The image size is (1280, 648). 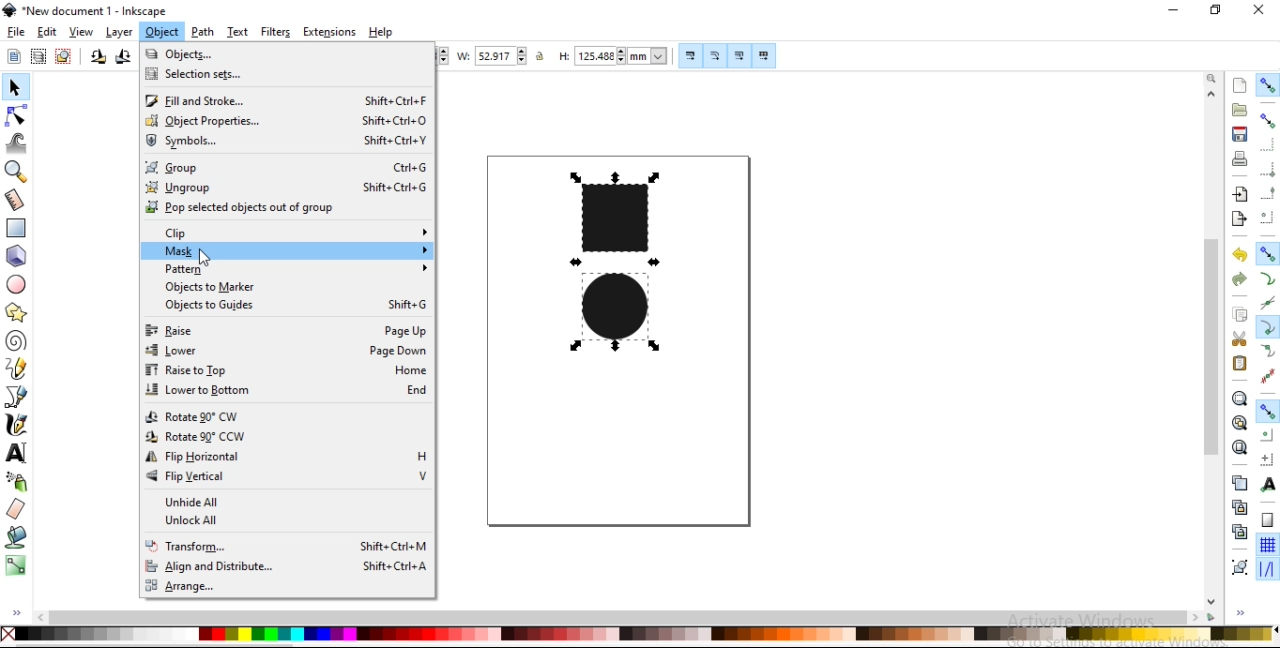 I want to click on layer, so click(x=118, y=33).